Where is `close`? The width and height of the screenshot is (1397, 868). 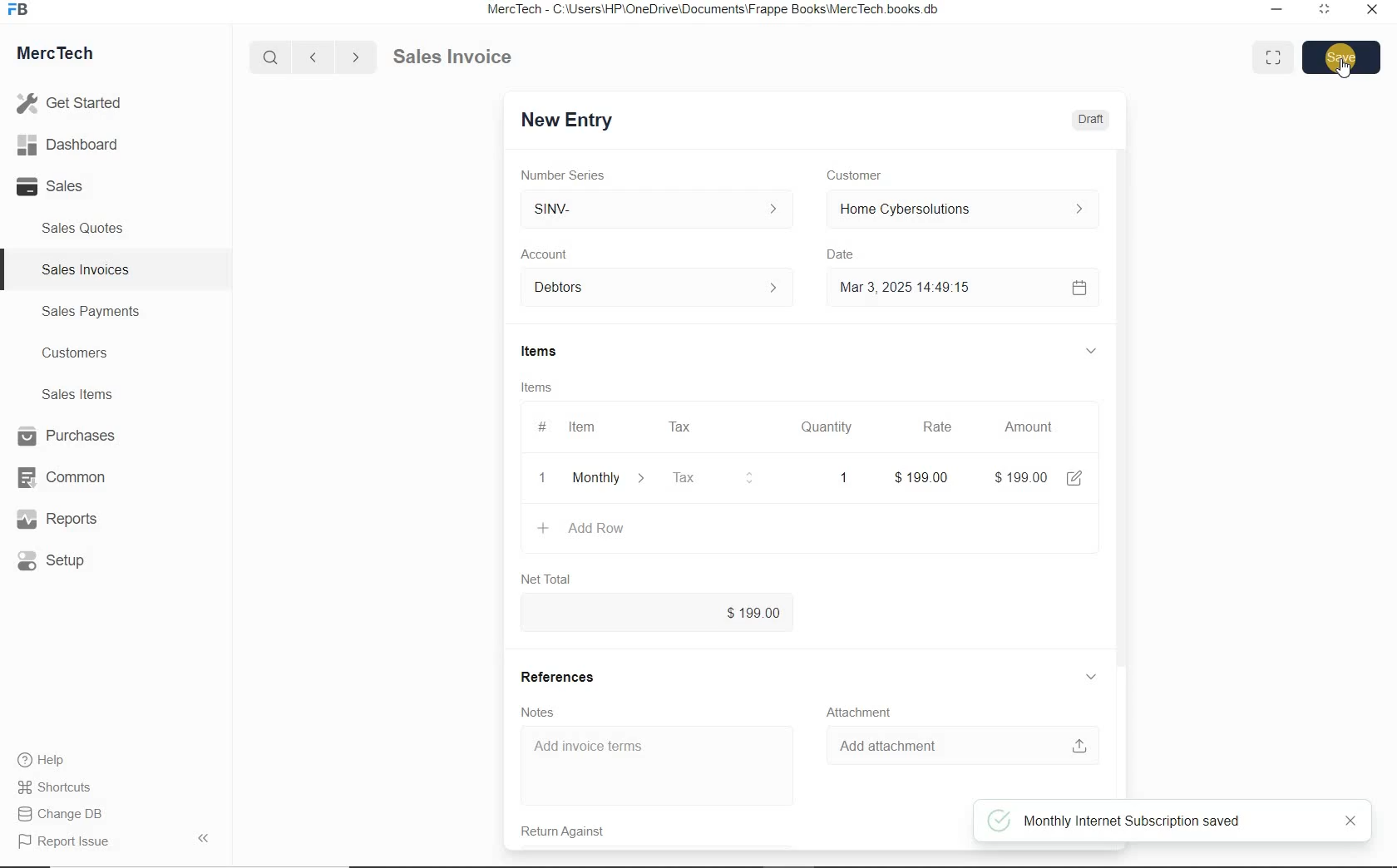
close is located at coordinates (1348, 820).